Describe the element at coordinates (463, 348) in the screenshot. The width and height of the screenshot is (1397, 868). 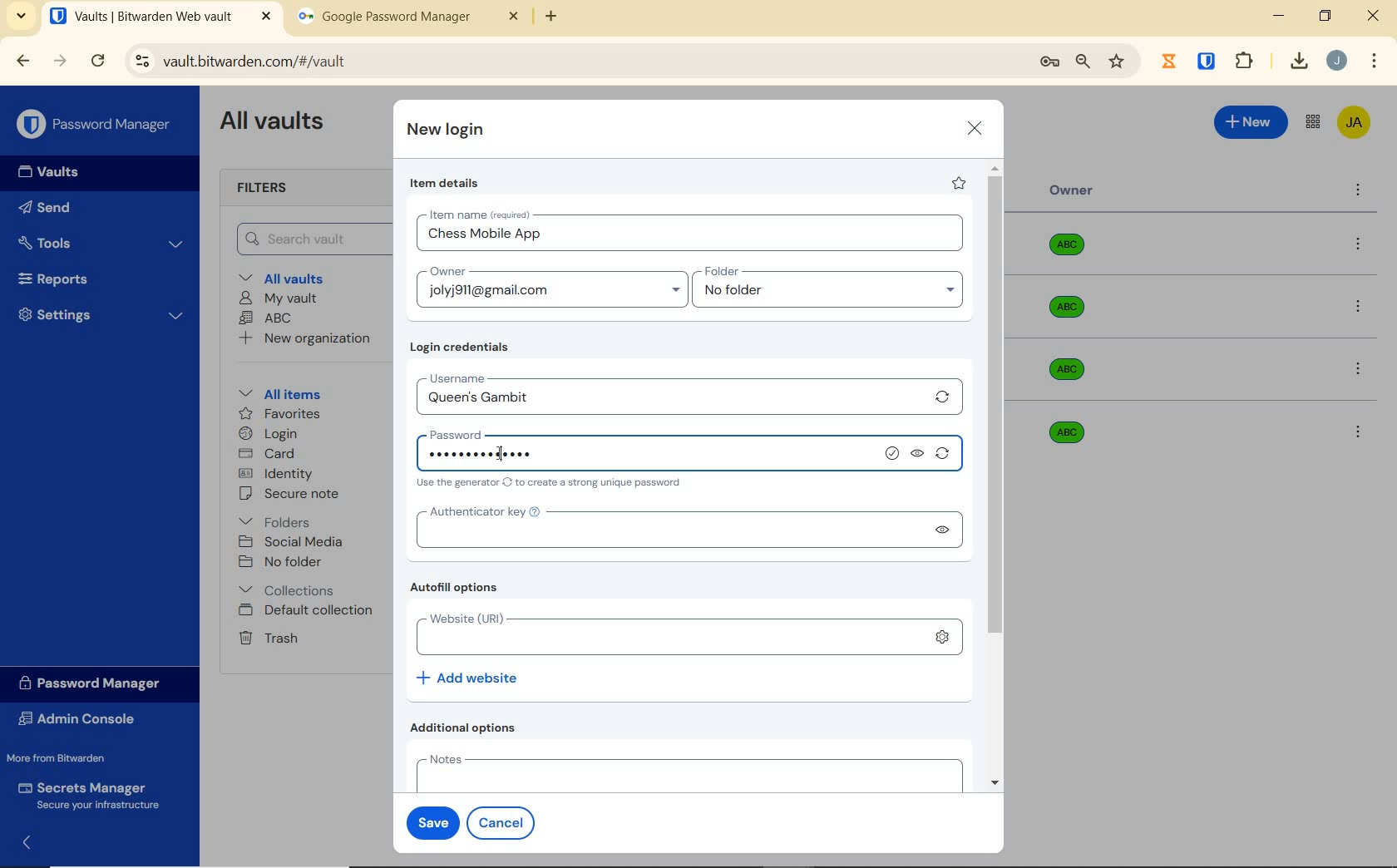
I see `Login credentials` at that location.